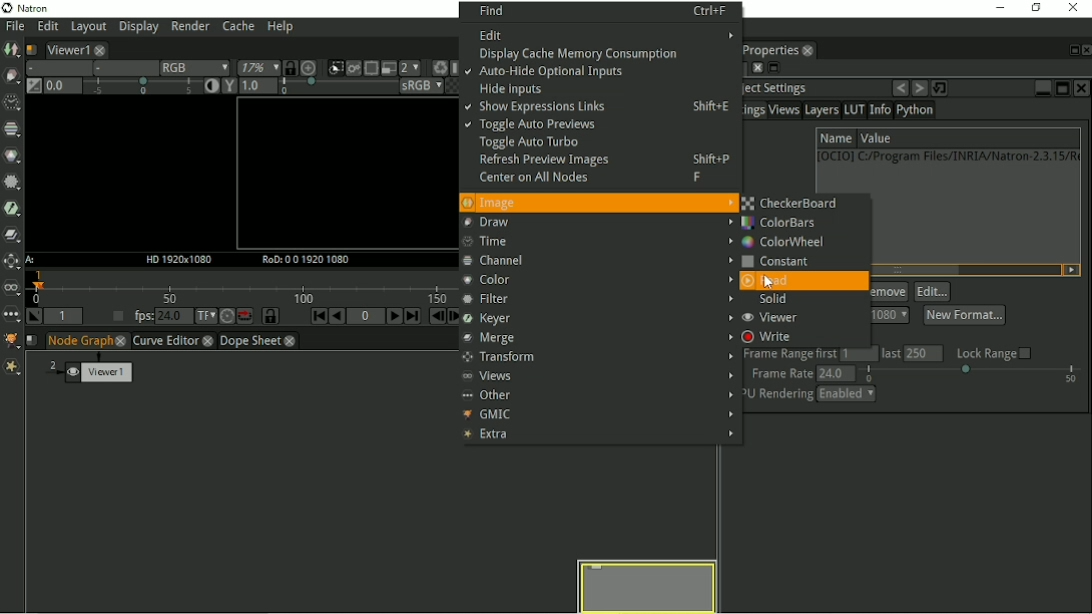  I want to click on Alpha channel, so click(121, 69).